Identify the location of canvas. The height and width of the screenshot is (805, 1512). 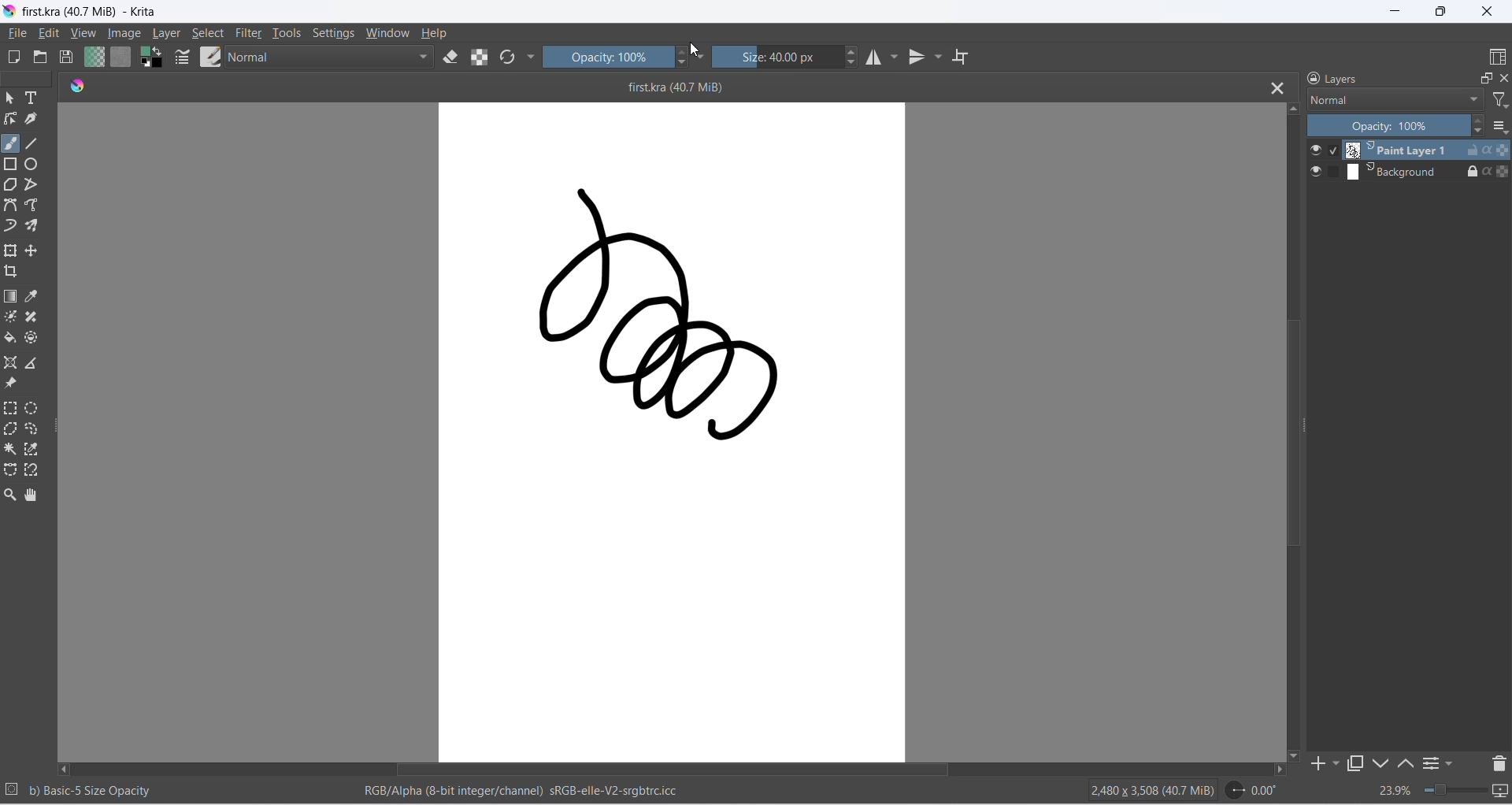
(1399, 171).